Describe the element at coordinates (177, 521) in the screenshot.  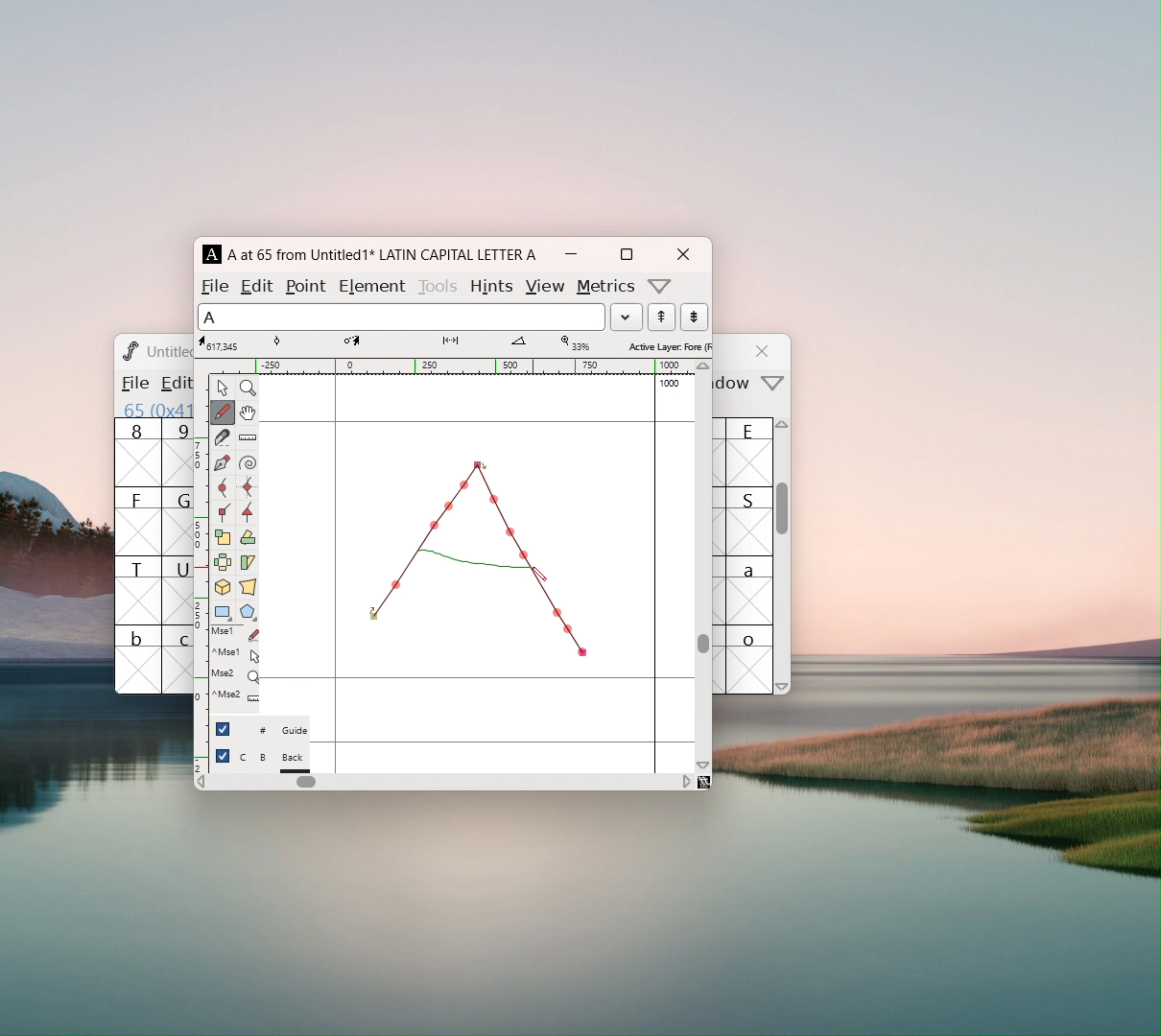
I see `G` at that location.